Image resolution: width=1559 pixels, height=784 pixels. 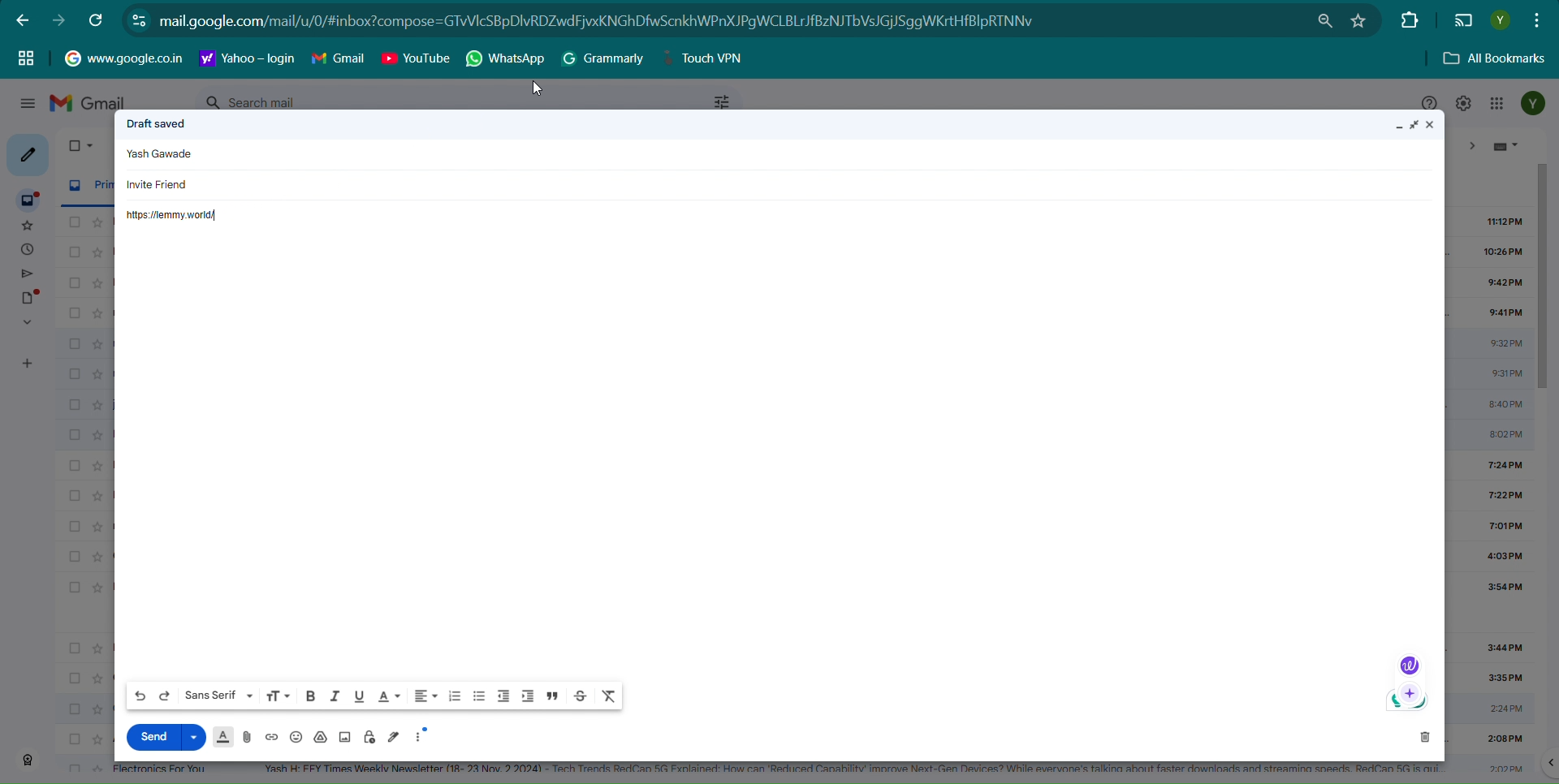 What do you see at coordinates (1424, 736) in the screenshot?
I see `Discard Draft` at bounding box center [1424, 736].